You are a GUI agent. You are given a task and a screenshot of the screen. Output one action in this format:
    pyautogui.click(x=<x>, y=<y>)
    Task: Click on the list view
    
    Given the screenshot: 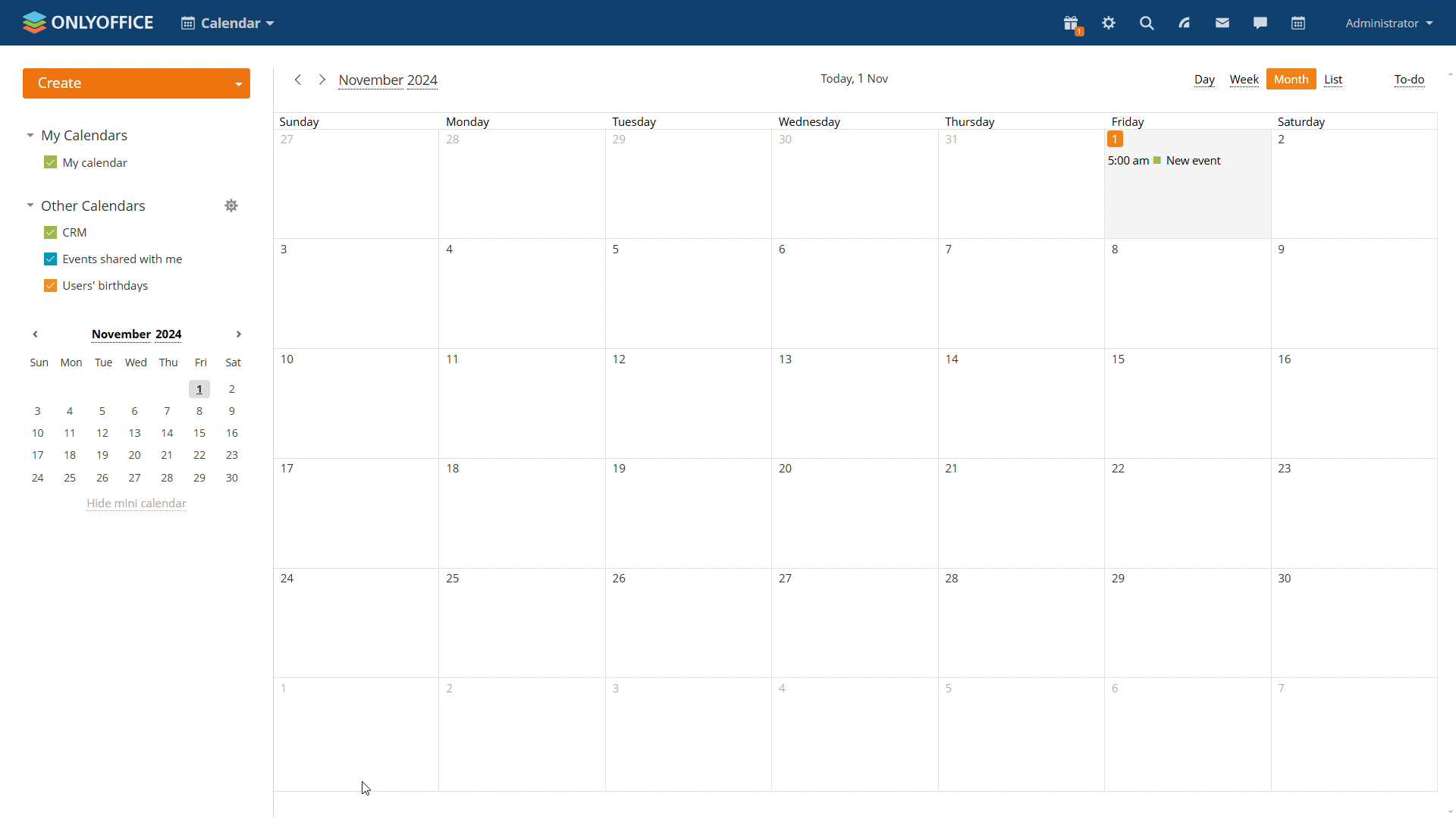 What is the action you would take?
    pyautogui.click(x=1335, y=81)
    